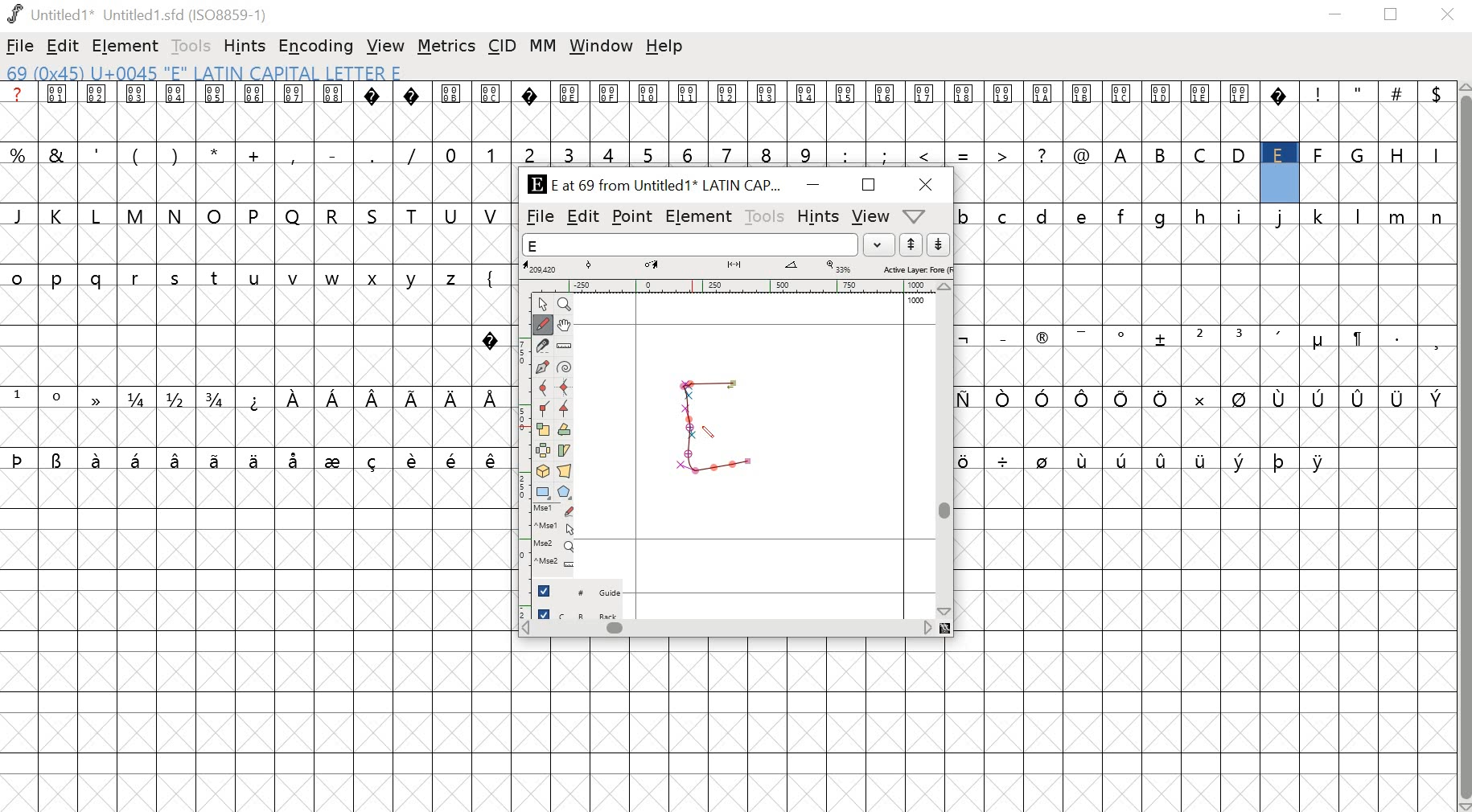 This screenshot has width=1472, height=812. Describe the element at coordinates (122, 45) in the screenshot. I see `element` at that location.